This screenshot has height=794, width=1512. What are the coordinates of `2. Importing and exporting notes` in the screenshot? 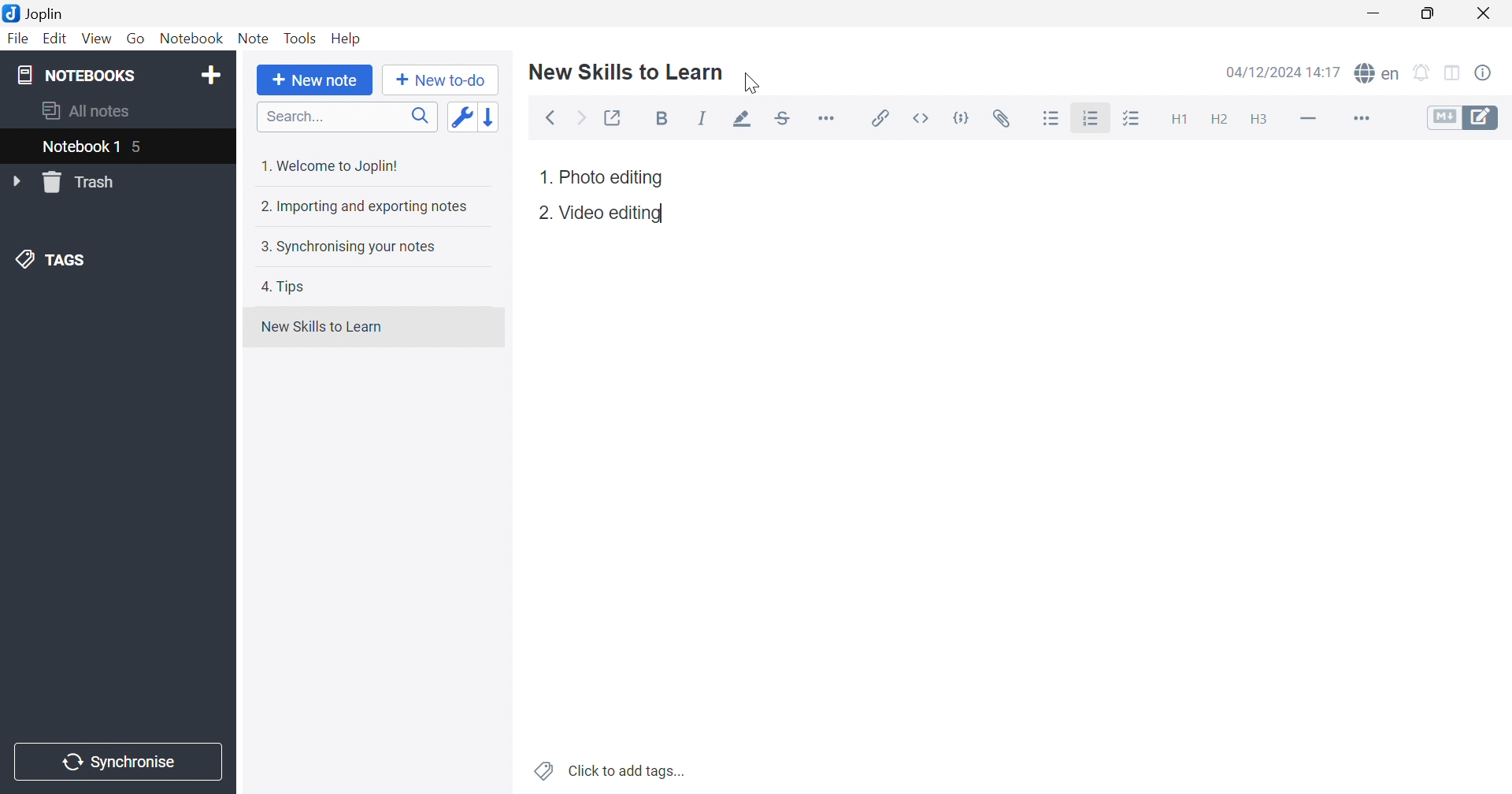 It's located at (362, 206).